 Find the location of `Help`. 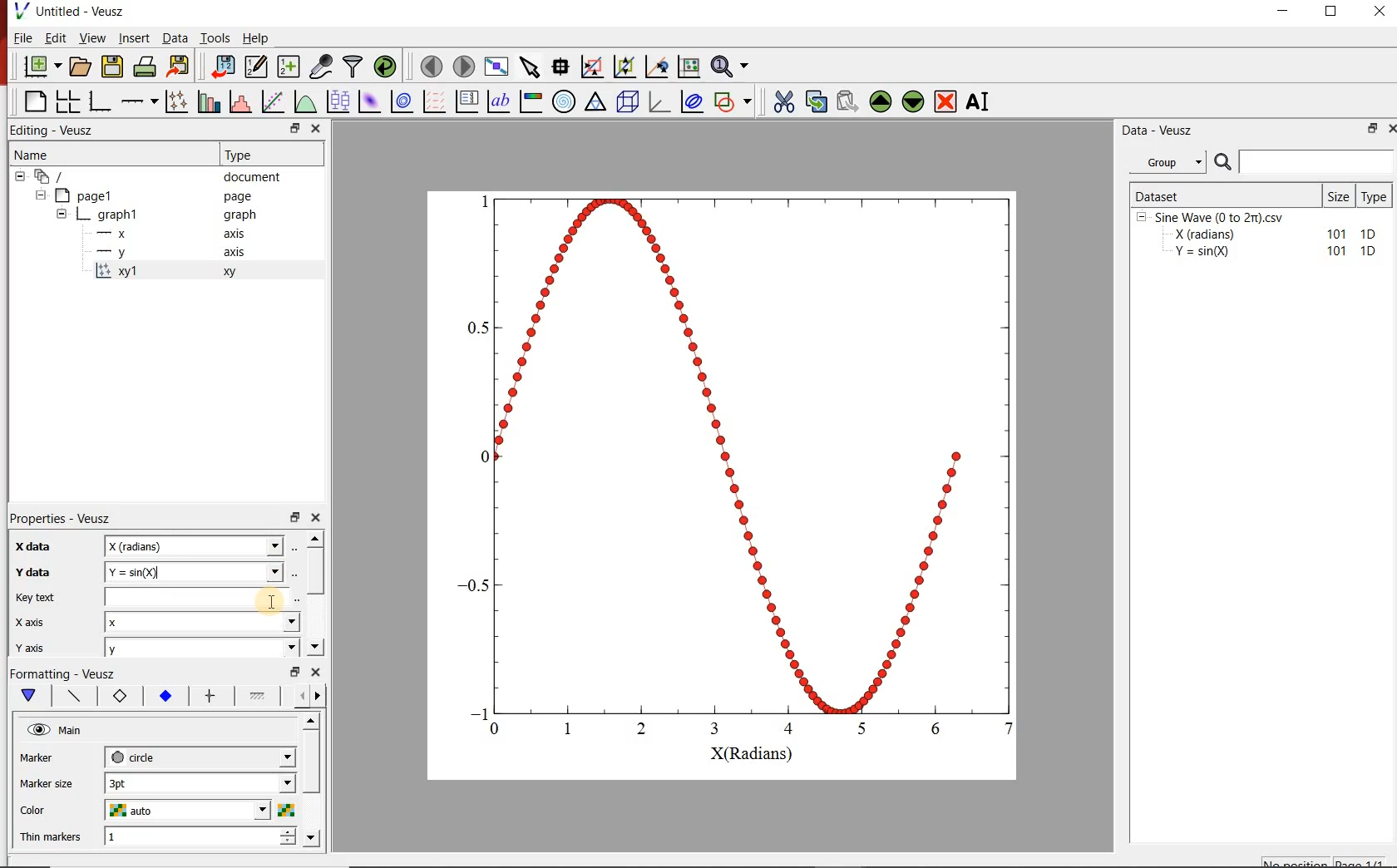

Help is located at coordinates (255, 38).